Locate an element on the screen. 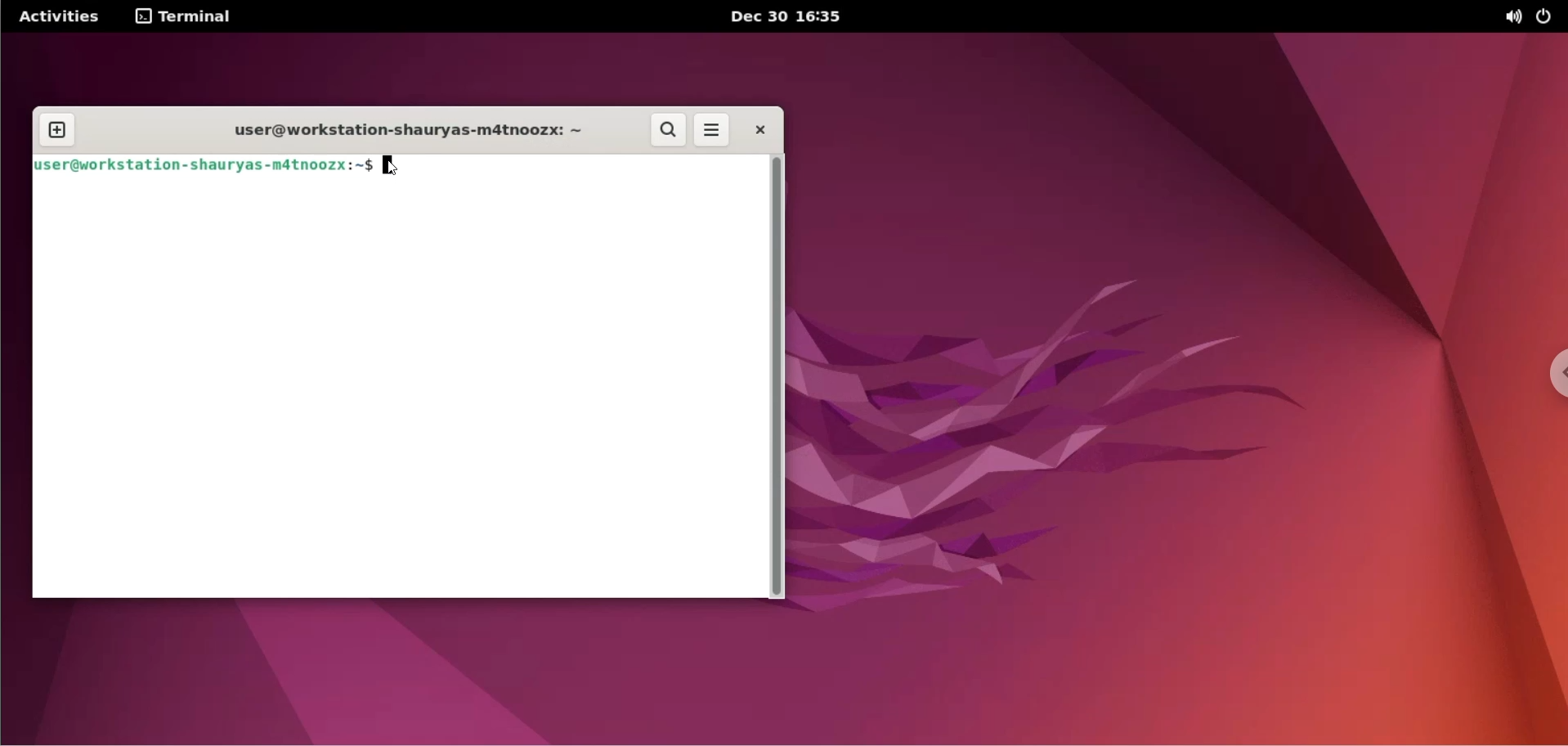  search is located at coordinates (668, 129).